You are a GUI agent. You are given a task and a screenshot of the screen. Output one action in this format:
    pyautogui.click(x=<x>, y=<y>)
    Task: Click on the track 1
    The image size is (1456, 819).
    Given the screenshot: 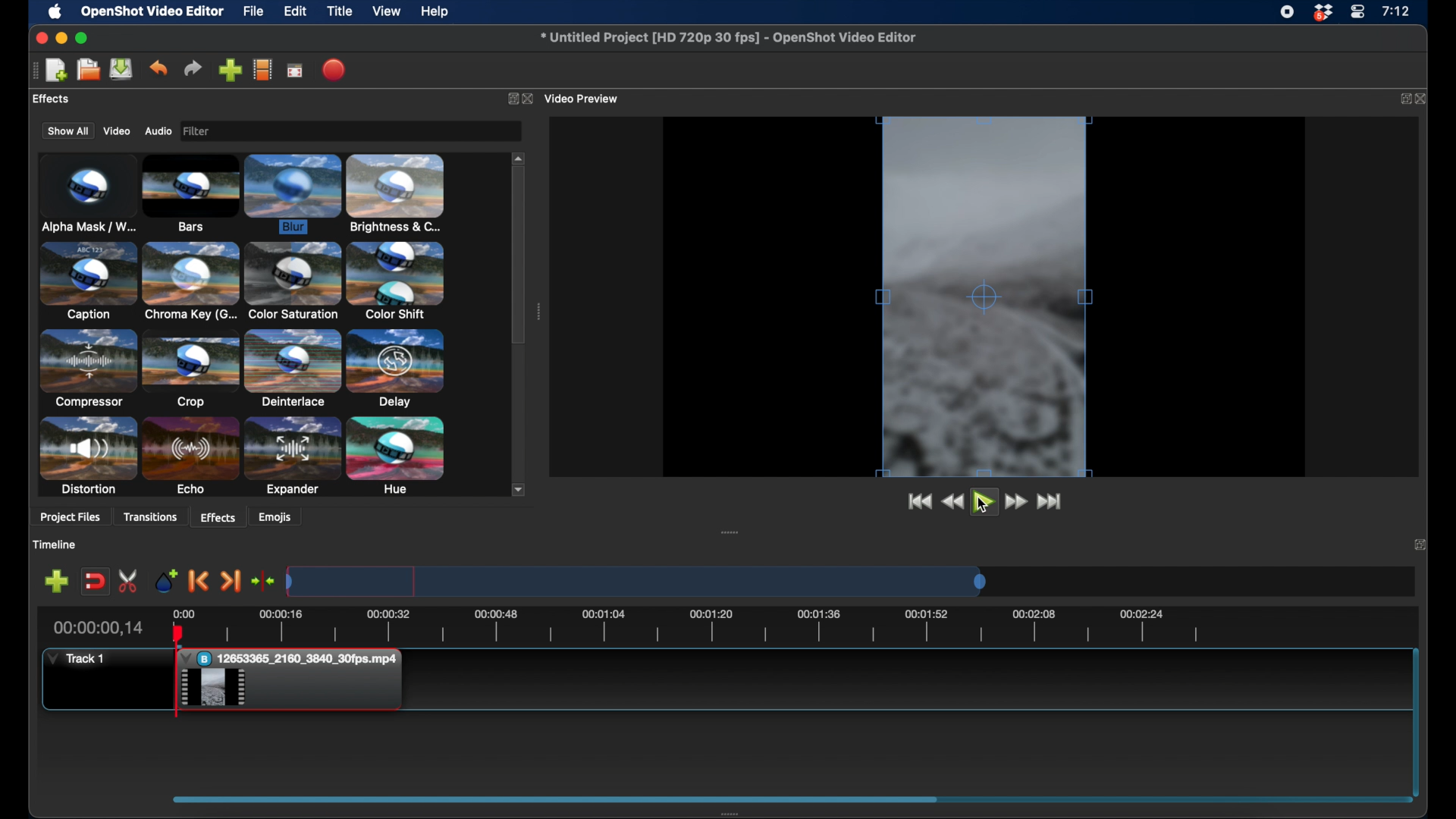 What is the action you would take?
    pyautogui.click(x=77, y=659)
    